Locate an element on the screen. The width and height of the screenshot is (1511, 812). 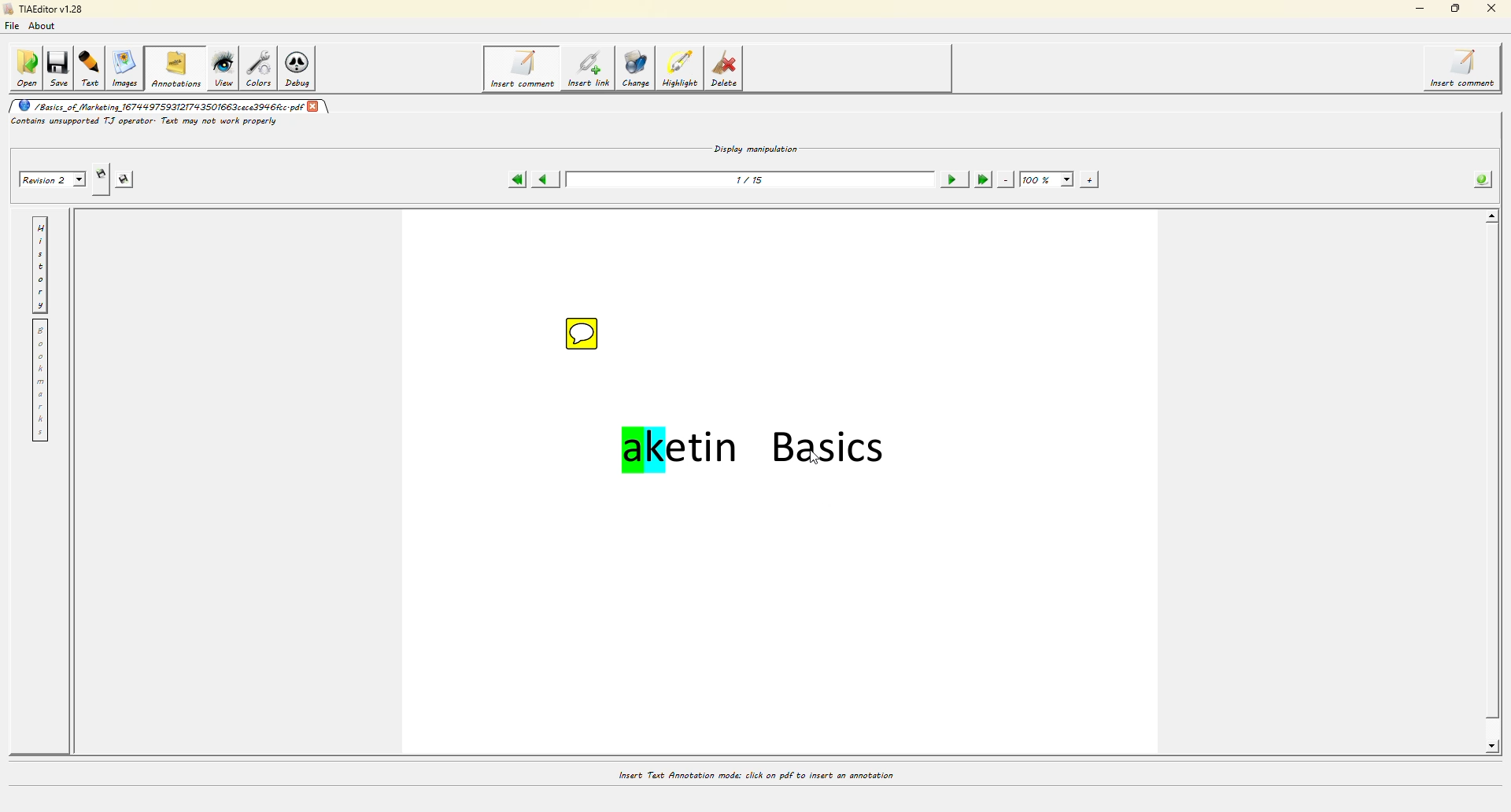
saves this revision is located at coordinates (129, 179).